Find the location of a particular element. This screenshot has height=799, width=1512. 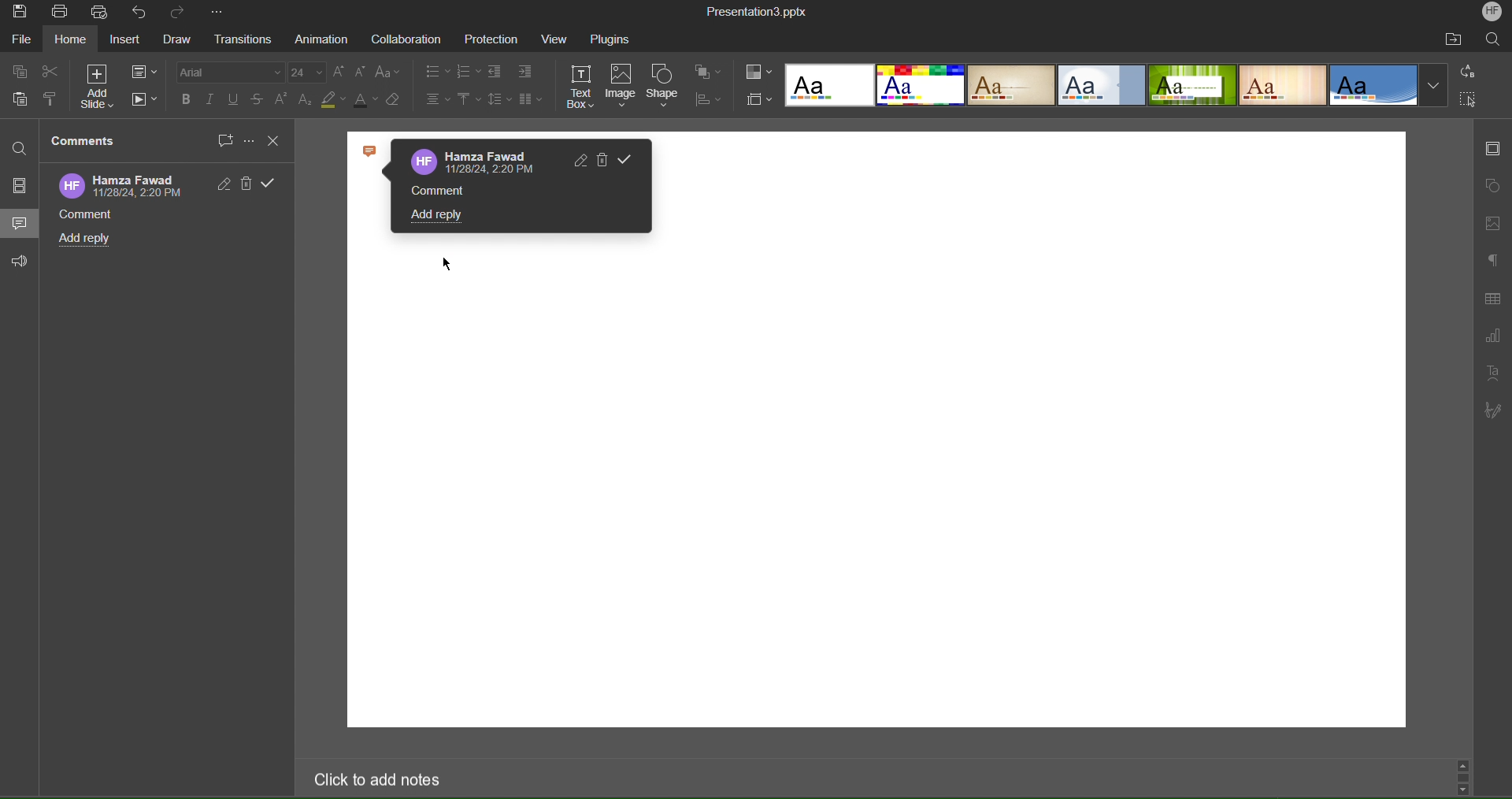

Slide Settings is located at coordinates (1494, 149).